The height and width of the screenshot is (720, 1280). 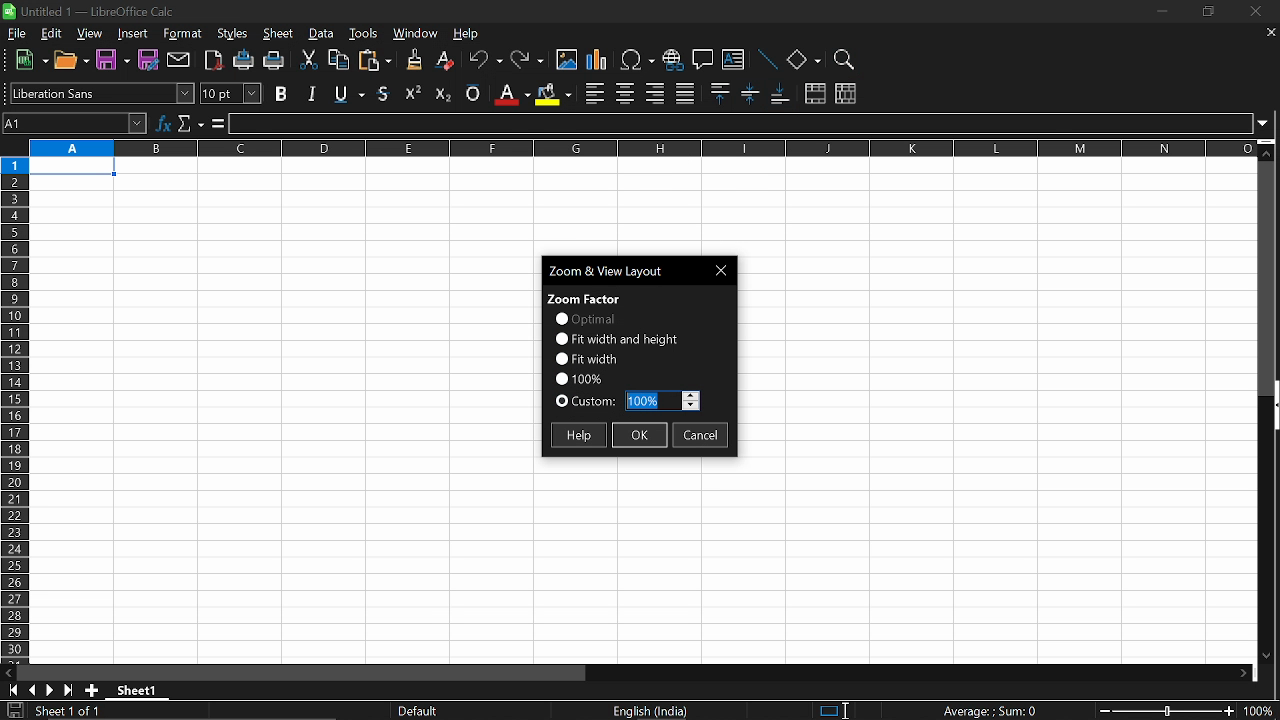 What do you see at coordinates (307, 61) in the screenshot?
I see `cut` at bounding box center [307, 61].